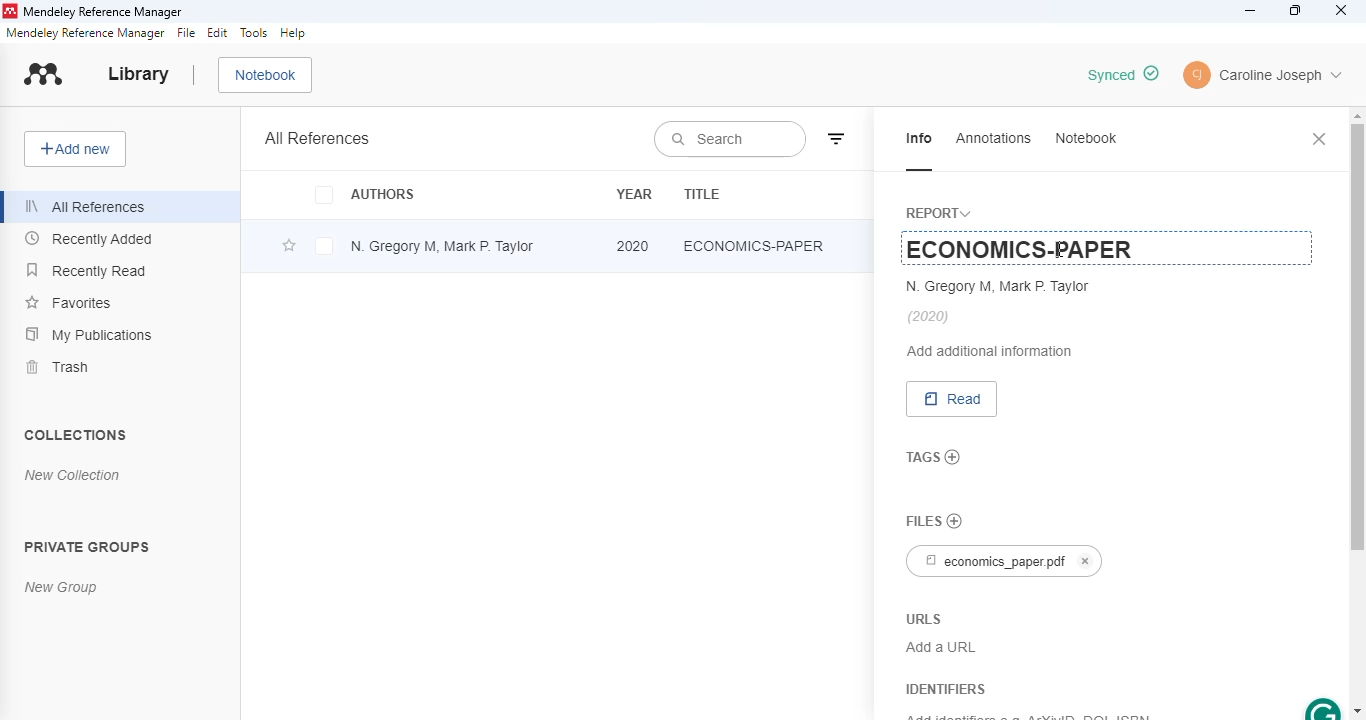 This screenshot has width=1366, height=720. What do you see at coordinates (754, 246) in the screenshot?
I see `title edited and changed to "ECONOMICS-PAPER"` at bounding box center [754, 246].